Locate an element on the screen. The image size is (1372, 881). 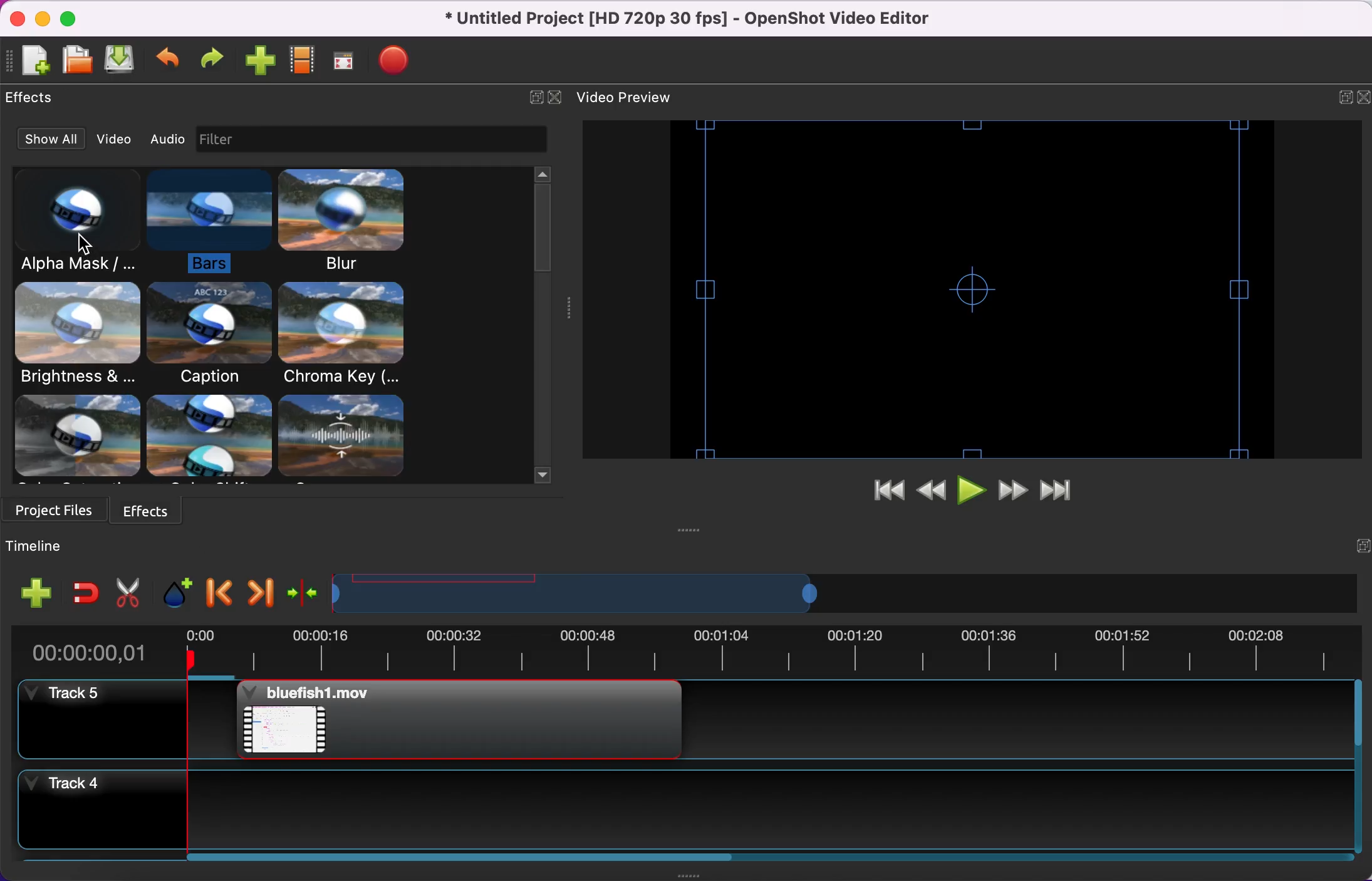
effects is located at coordinates (158, 511).